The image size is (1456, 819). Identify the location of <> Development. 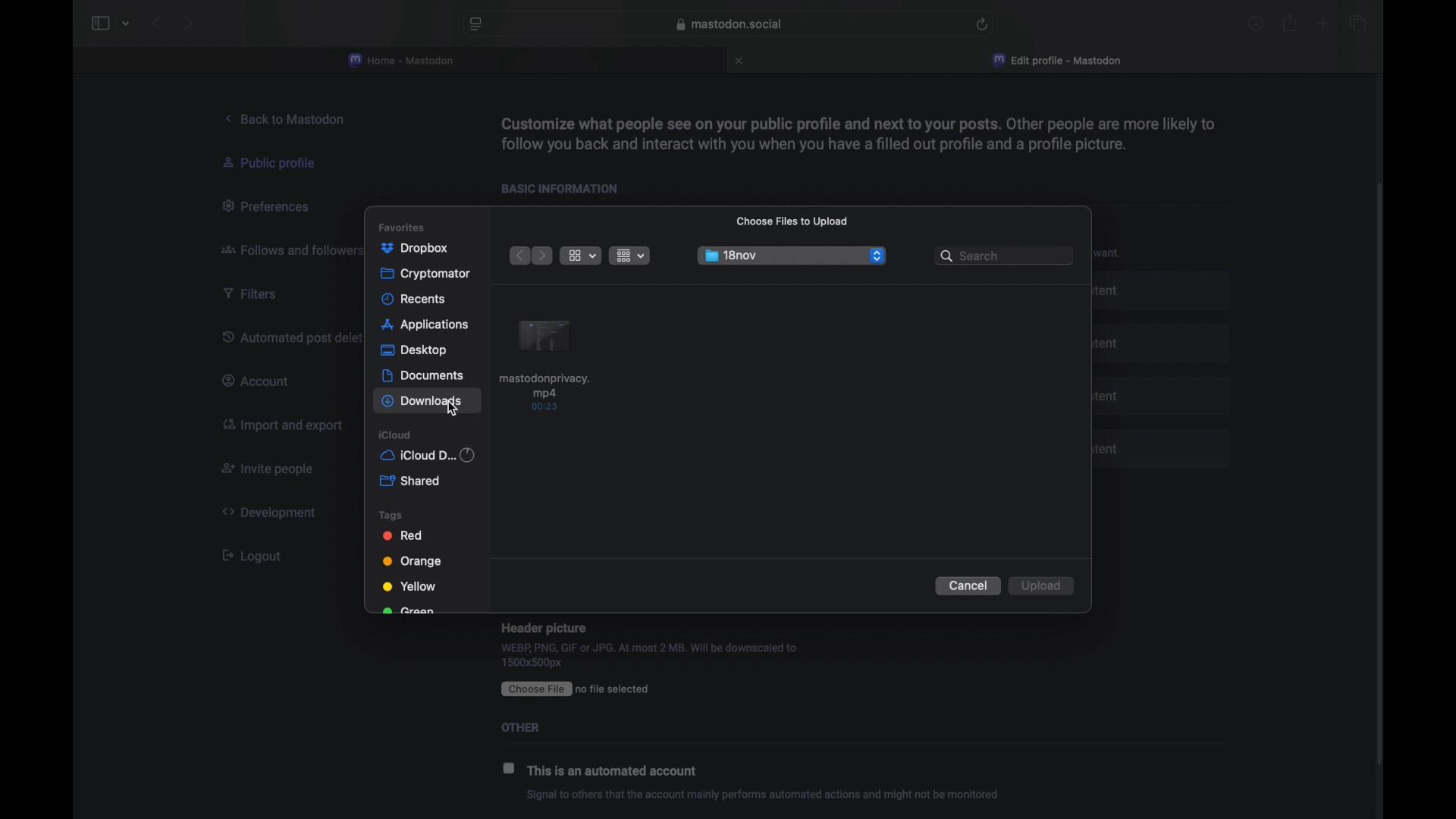
(275, 512).